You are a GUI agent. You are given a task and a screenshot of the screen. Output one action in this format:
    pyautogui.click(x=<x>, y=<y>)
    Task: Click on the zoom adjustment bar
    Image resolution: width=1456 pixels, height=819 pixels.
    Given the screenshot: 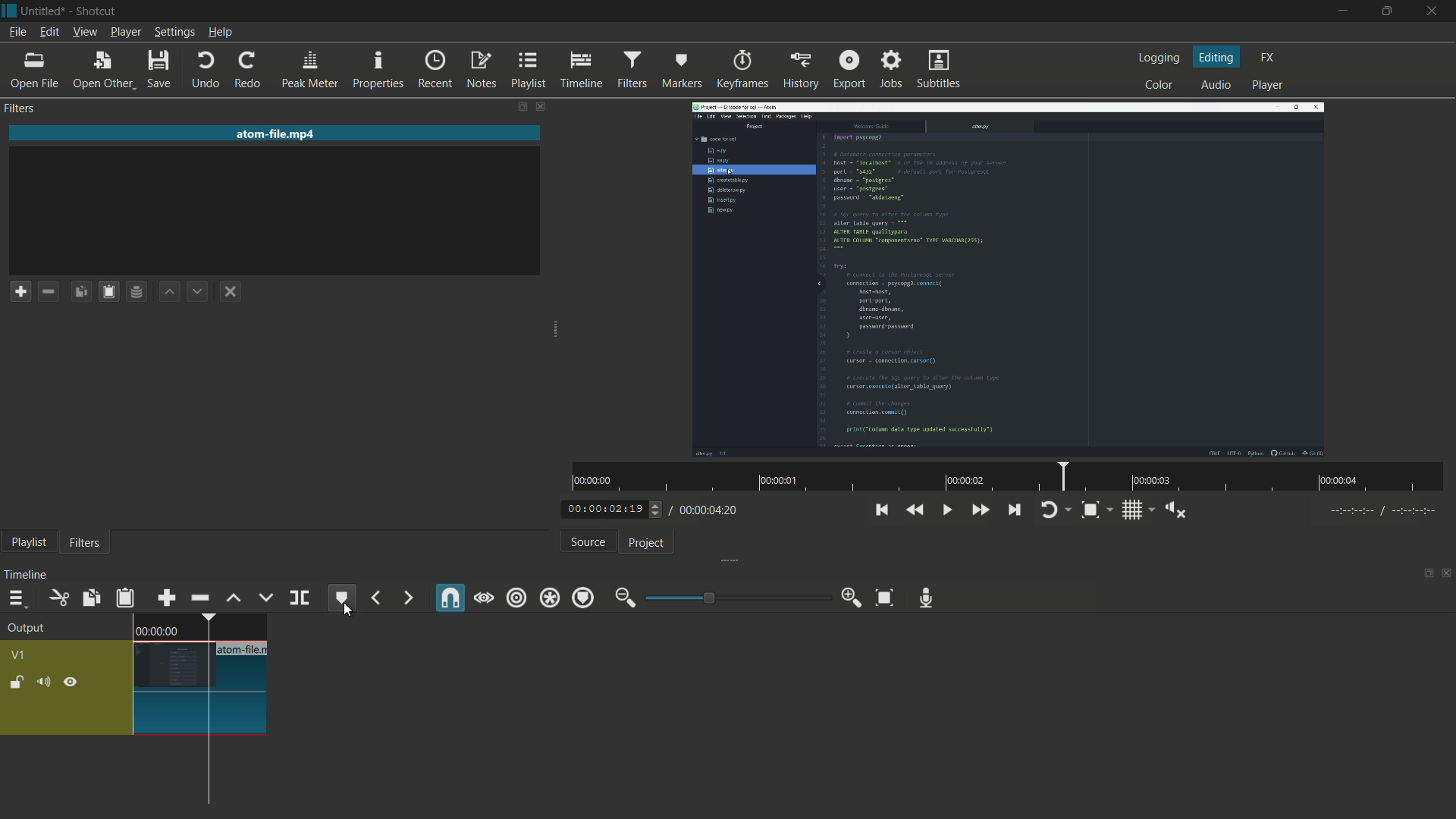 What is the action you would take?
    pyautogui.click(x=736, y=598)
    